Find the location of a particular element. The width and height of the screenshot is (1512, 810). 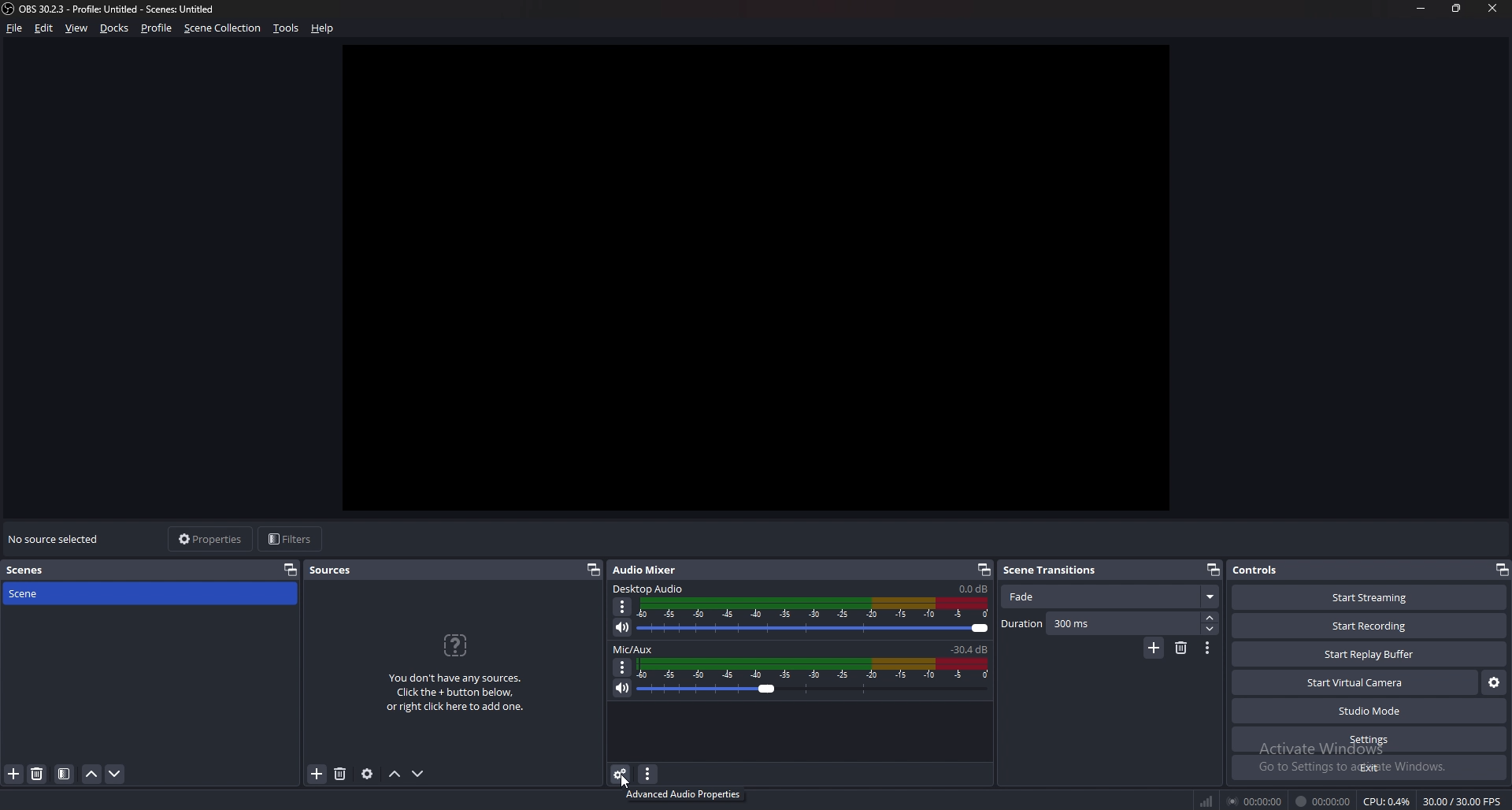

profile is located at coordinates (159, 28).